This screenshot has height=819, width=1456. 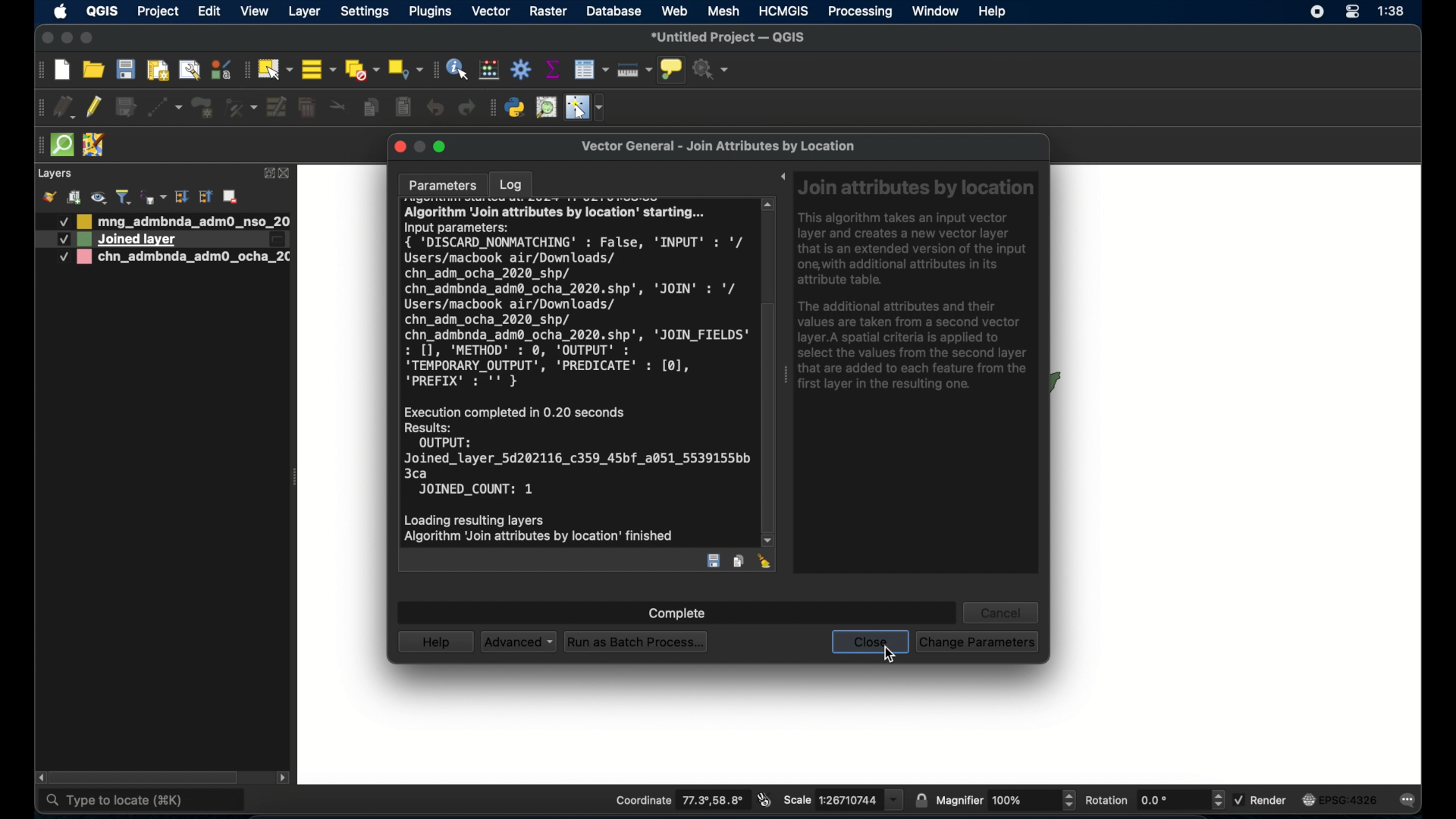 I want to click on manage map themes, so click(x=98, y=197).